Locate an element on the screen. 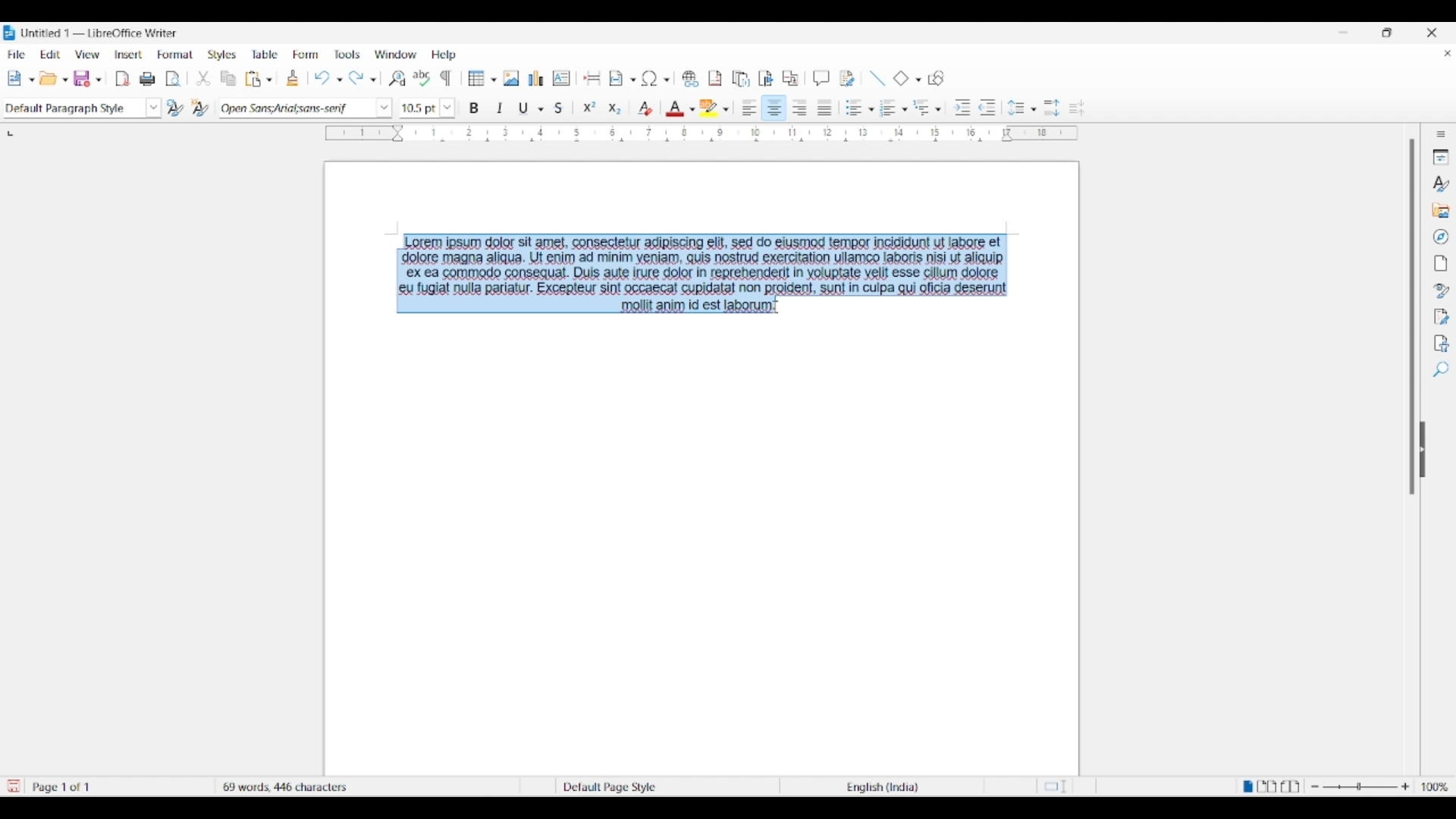  Clear direct formatting is located at coordinates (645, 108).